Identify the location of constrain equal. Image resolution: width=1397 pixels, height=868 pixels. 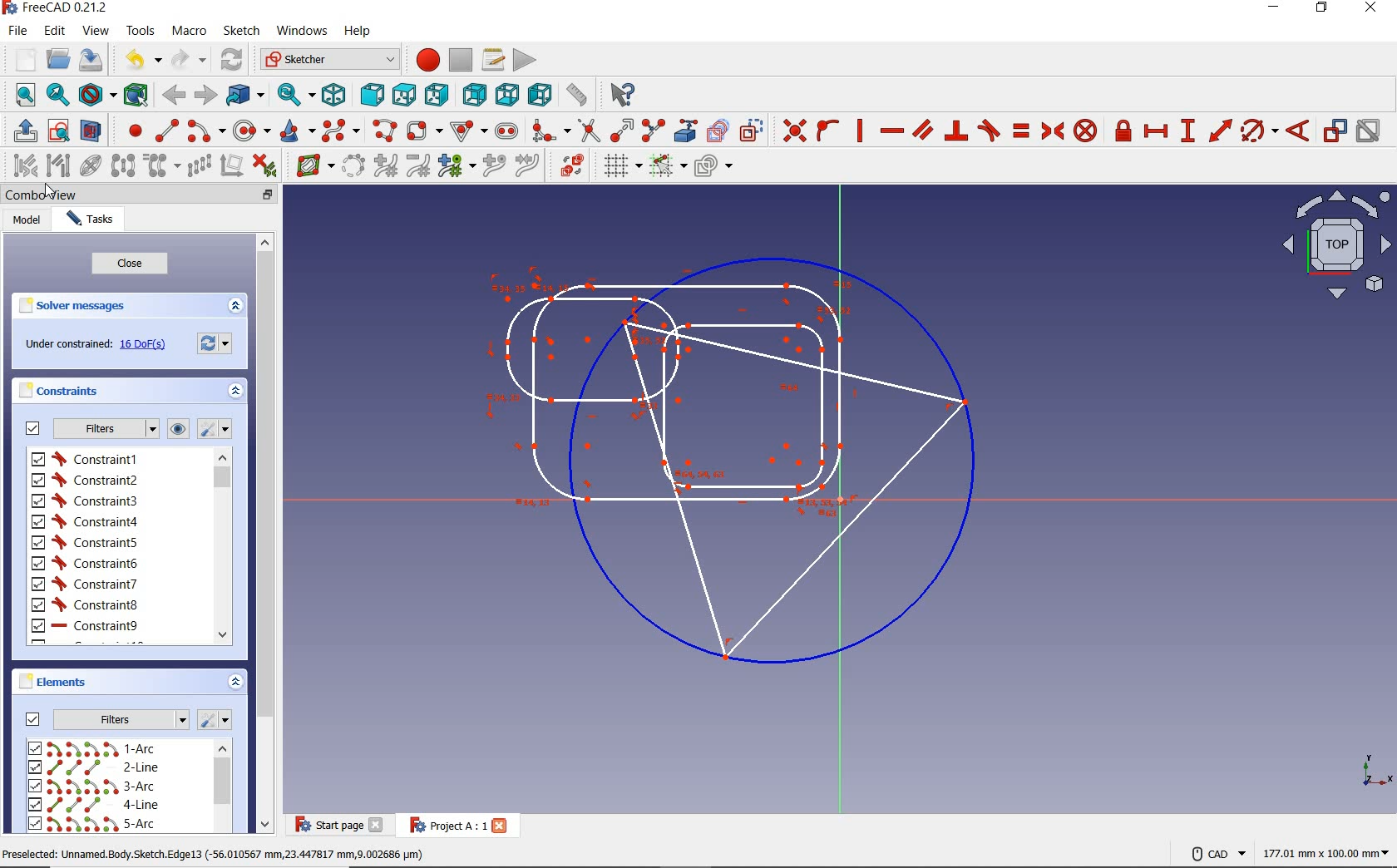
(1023, 131).